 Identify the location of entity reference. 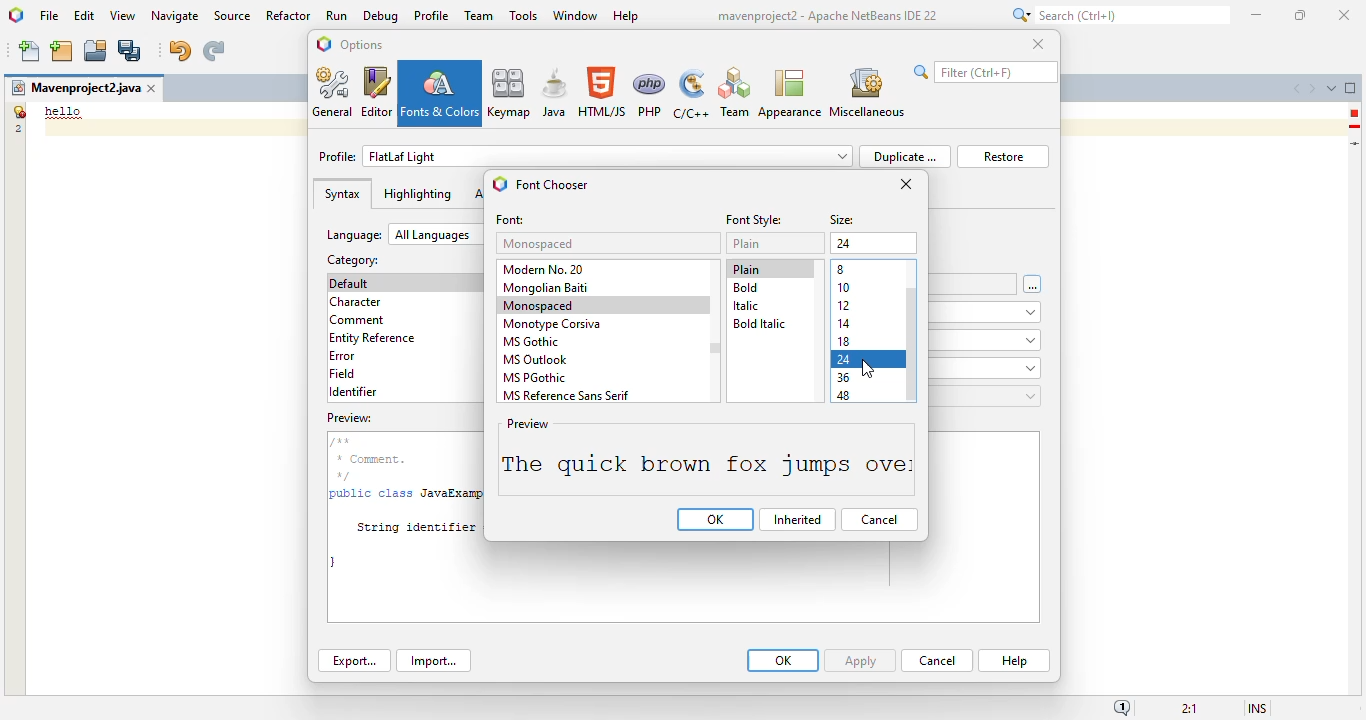
(373, 339).